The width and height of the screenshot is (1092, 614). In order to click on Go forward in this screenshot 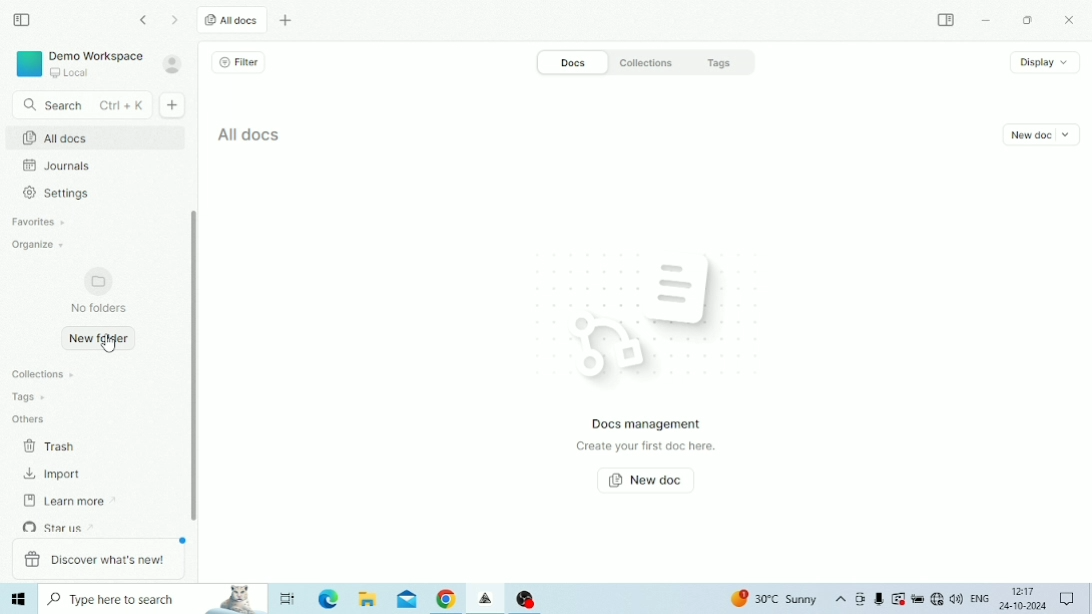, I will do `click(176, 20)`.